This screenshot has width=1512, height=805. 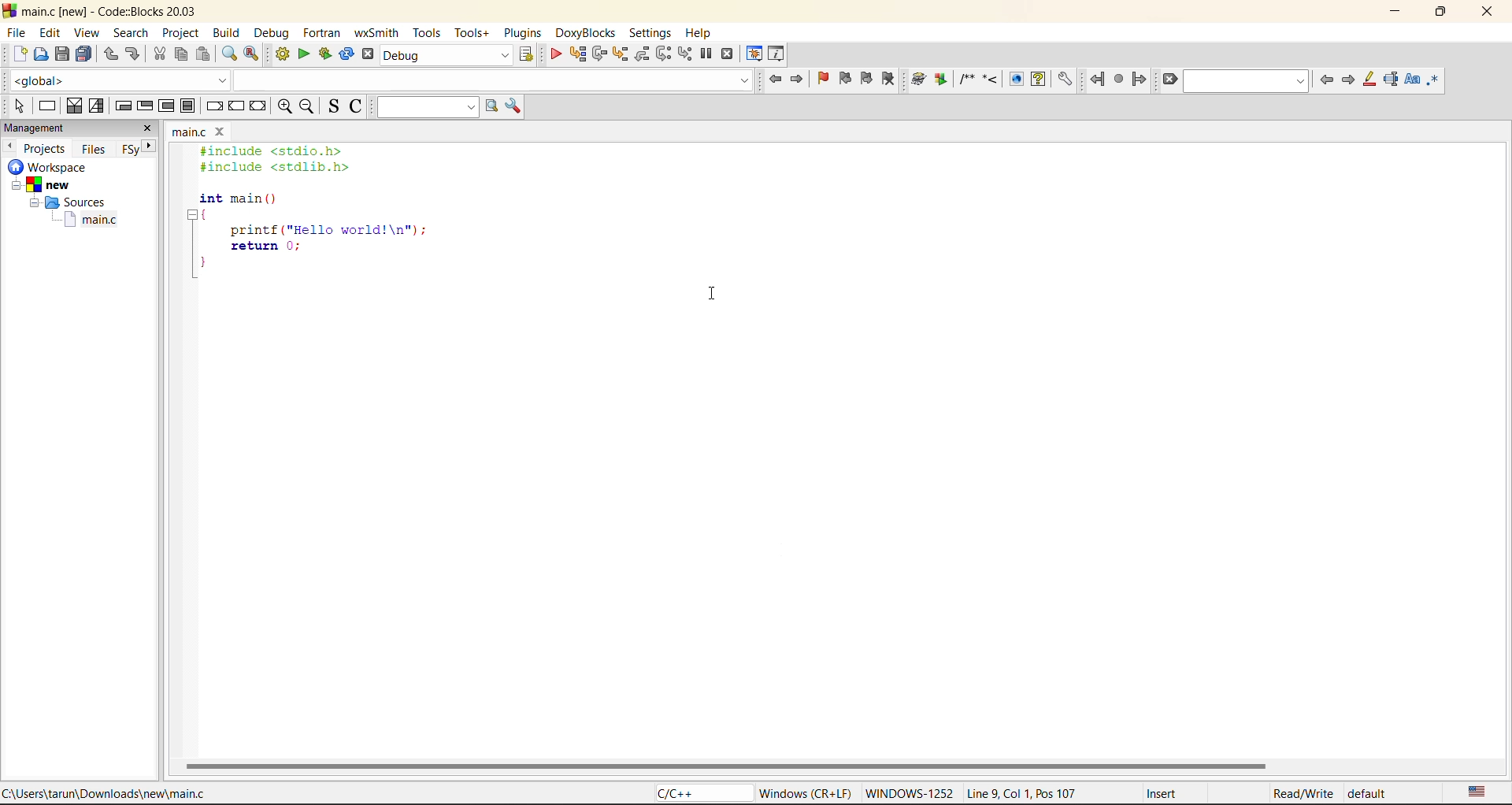 I want to click on build target, so click(x=444, y=55).